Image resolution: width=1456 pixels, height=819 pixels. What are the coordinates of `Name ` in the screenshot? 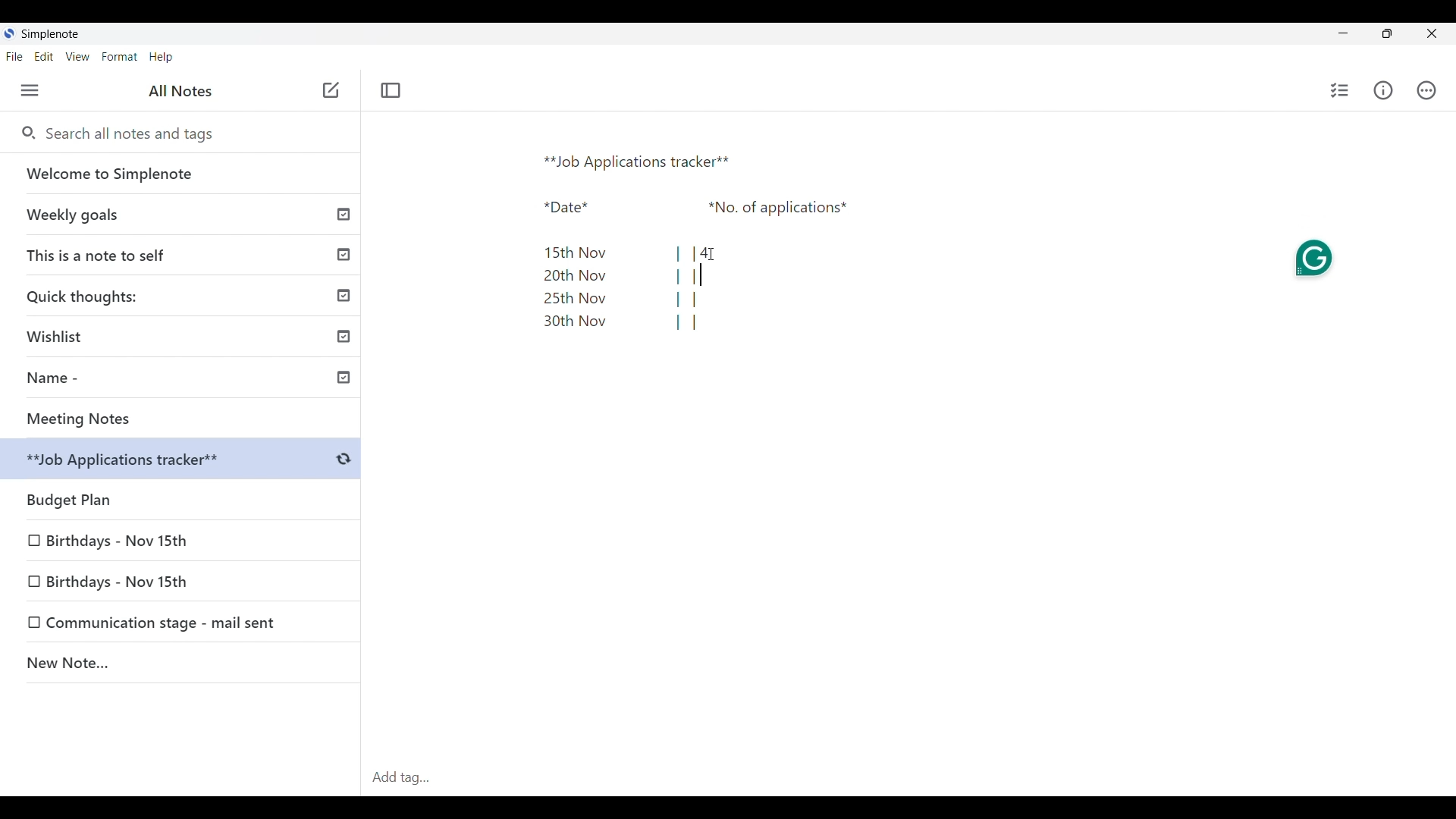 It's located at (187, 380).